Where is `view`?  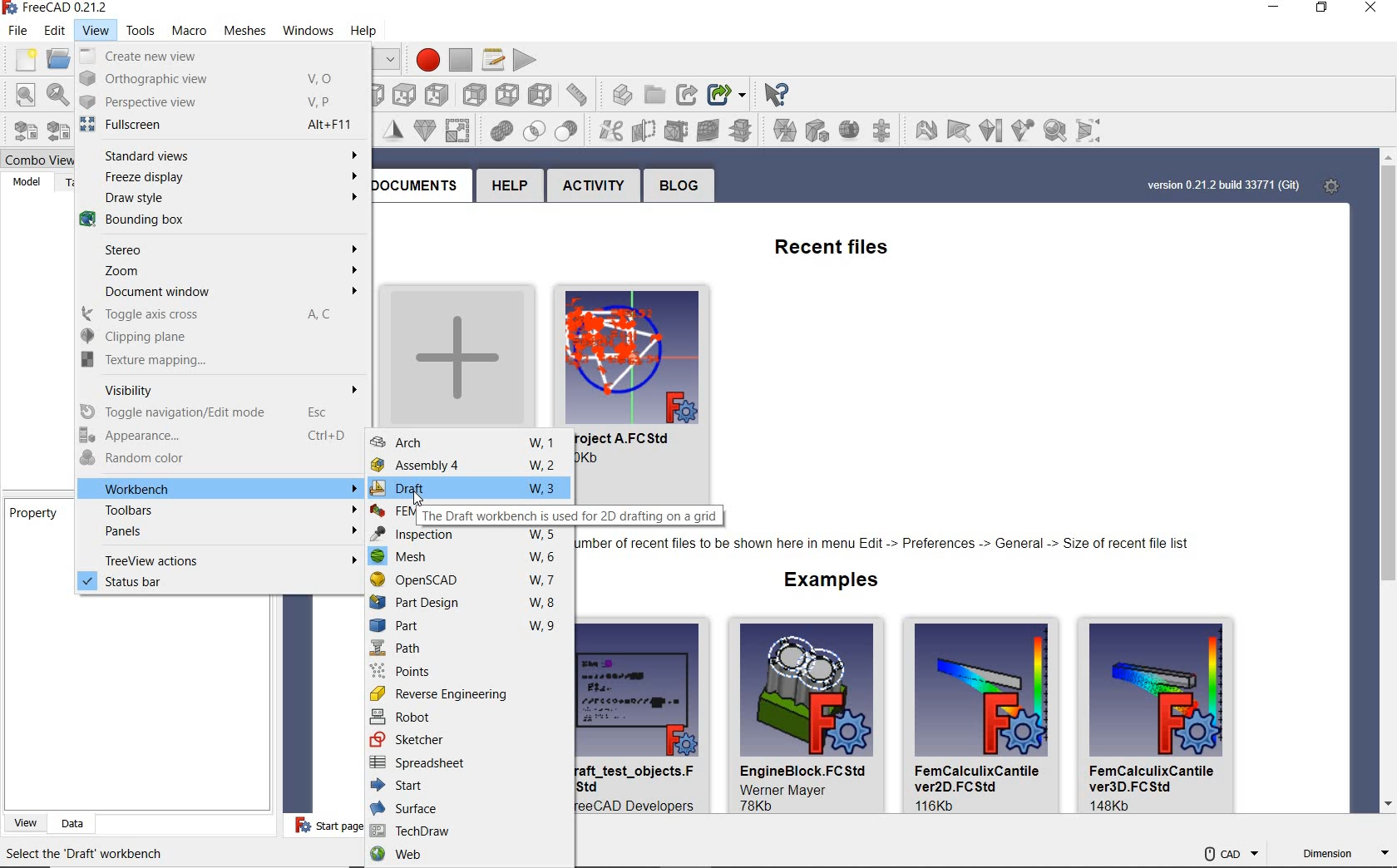 view is located at coordinates (22, 823).